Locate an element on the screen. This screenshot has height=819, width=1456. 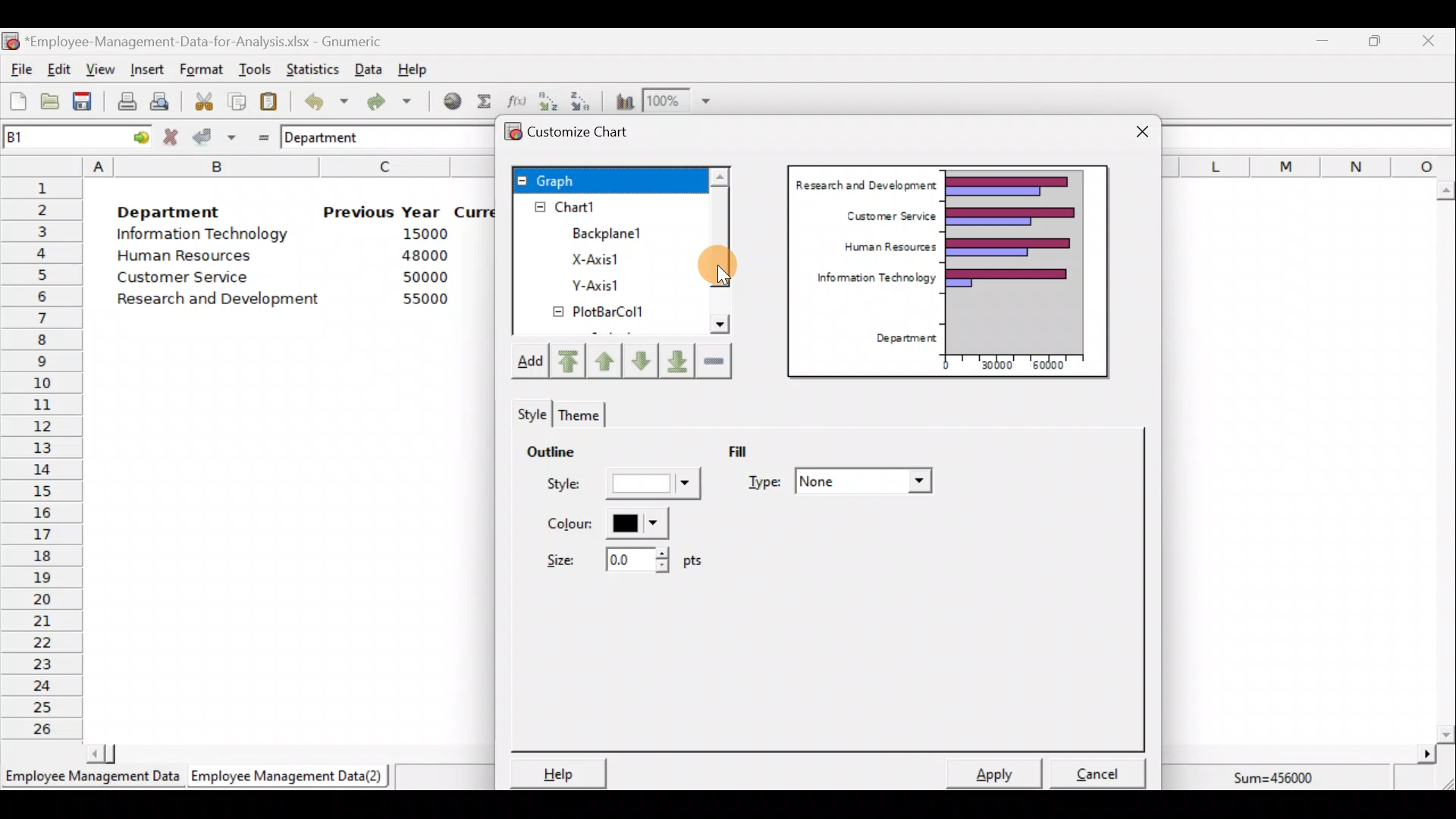
Add is located at coordinates (529, 364).